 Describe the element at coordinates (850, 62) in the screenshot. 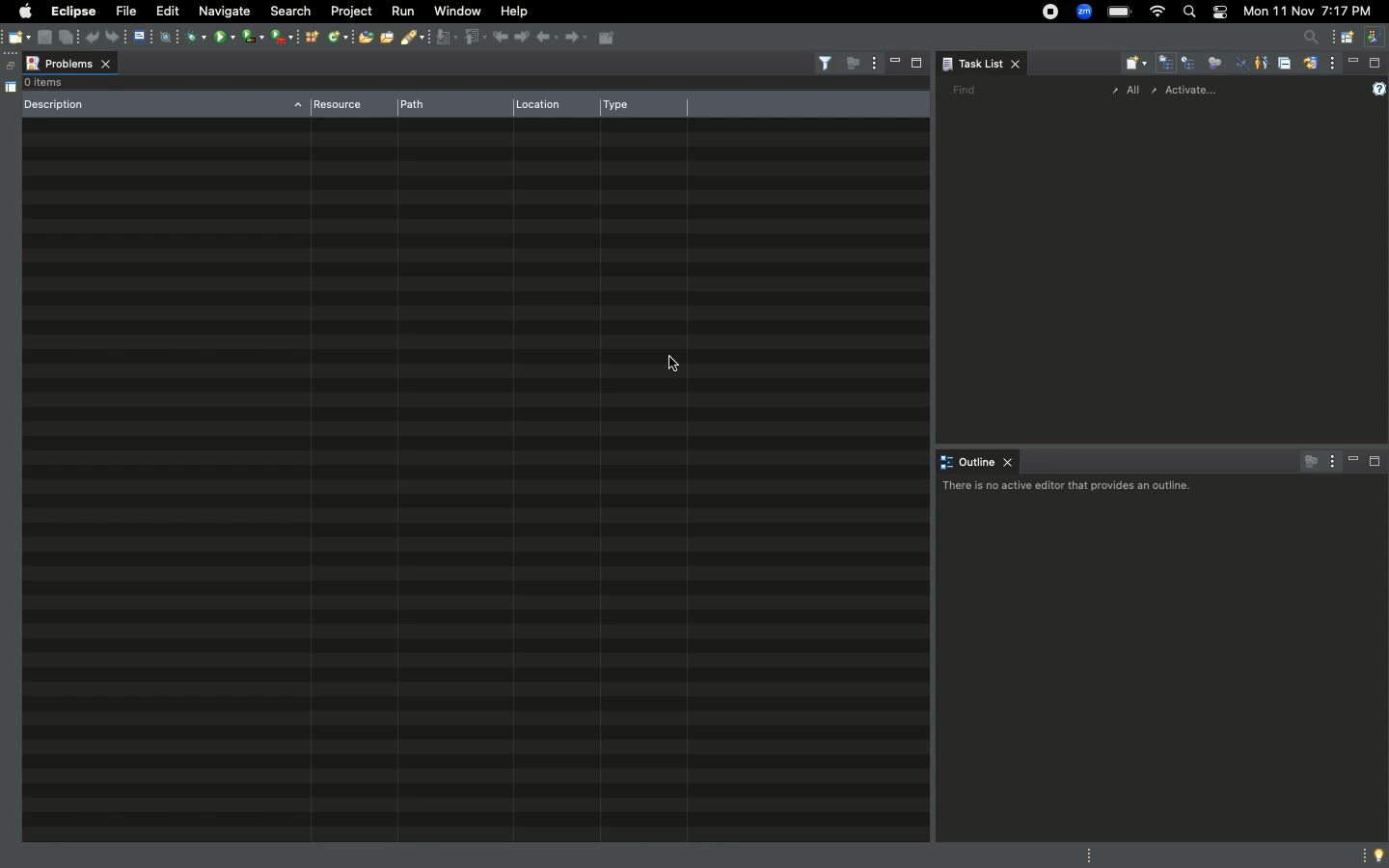

I see `Focus on active task` at that location.